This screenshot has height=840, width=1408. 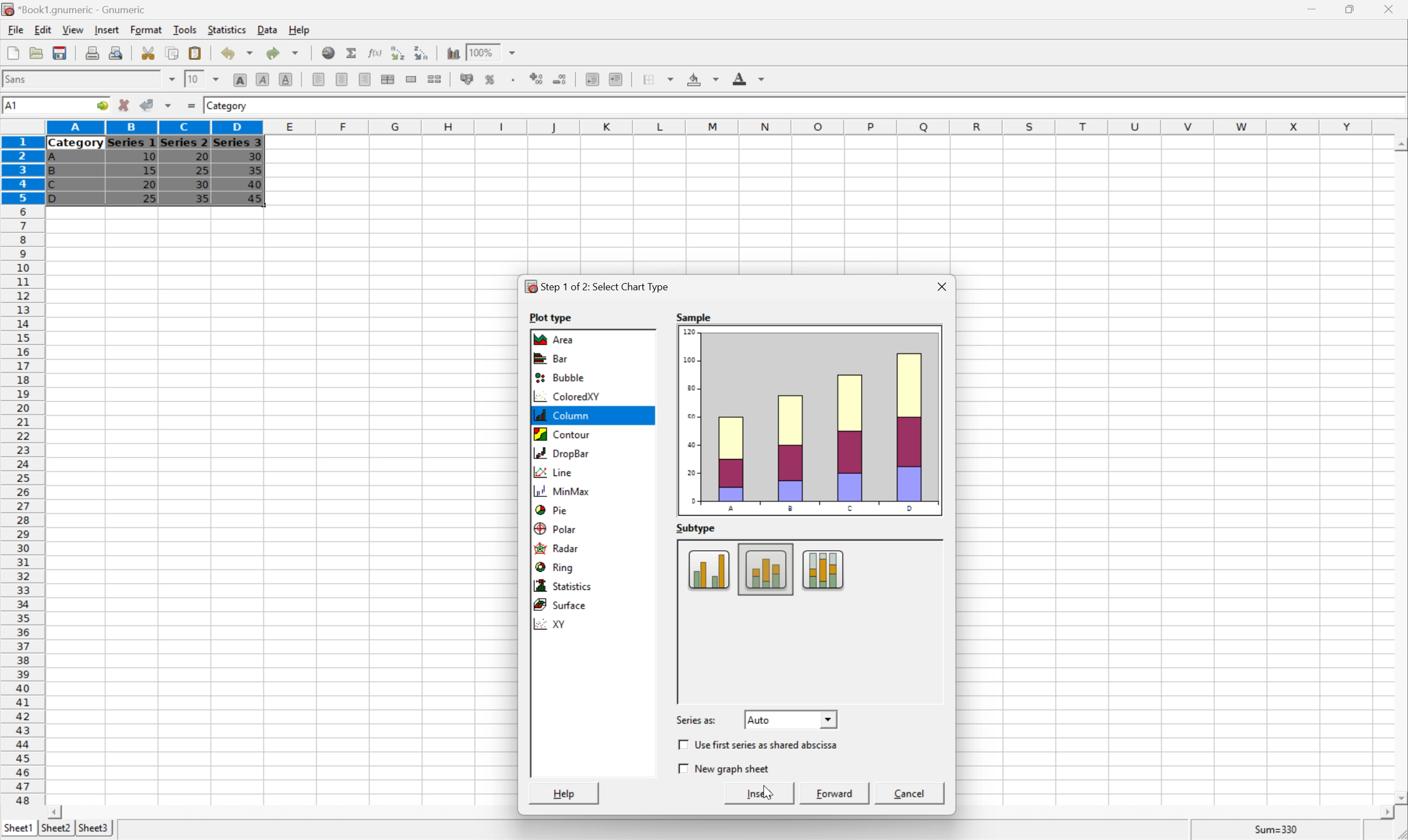 I want to click on Increase indent, and align the contents to the left, so click(x=615, y=80).